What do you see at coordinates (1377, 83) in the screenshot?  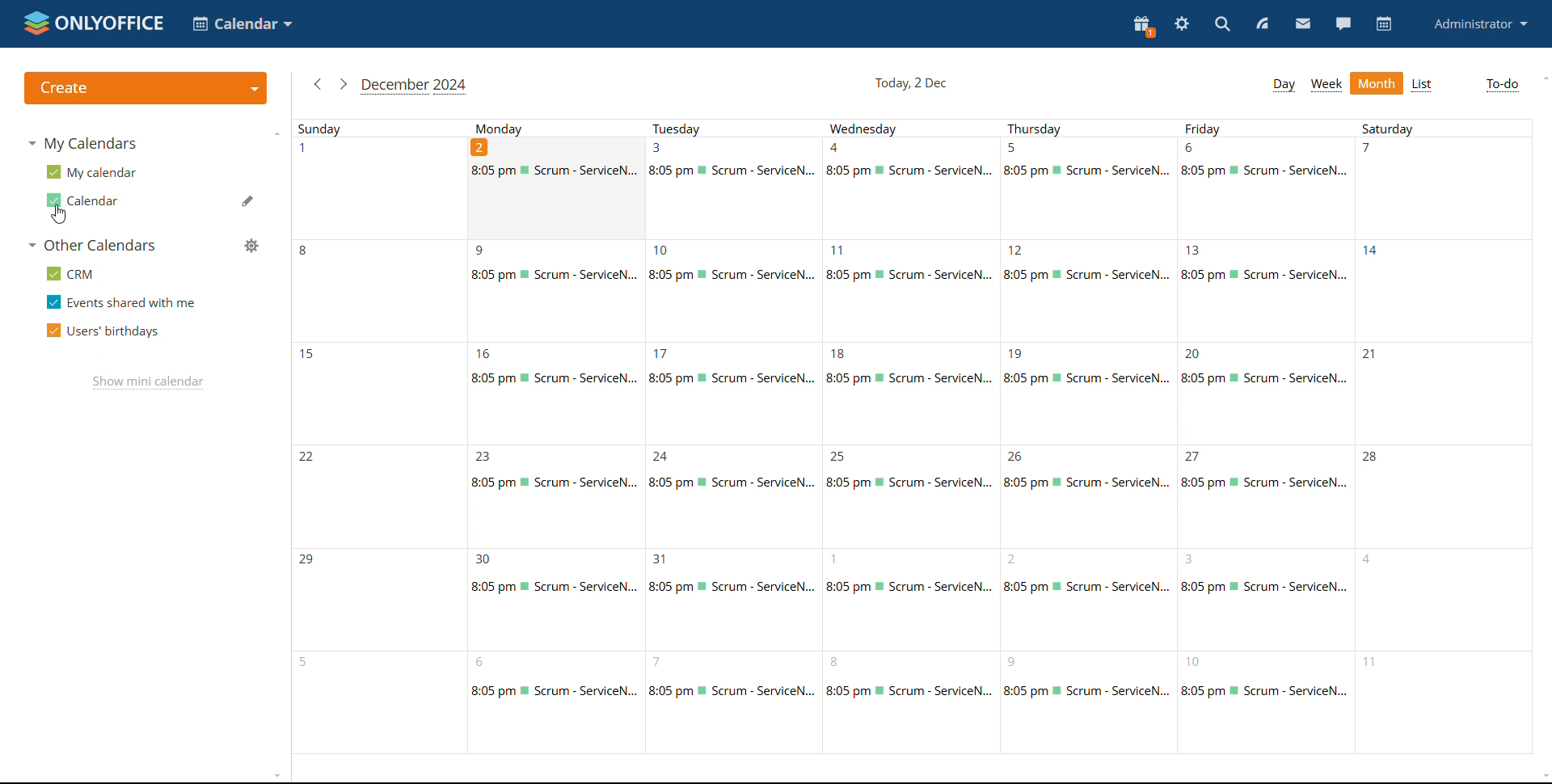 I see `month view` at bounding box center [1377, 83].